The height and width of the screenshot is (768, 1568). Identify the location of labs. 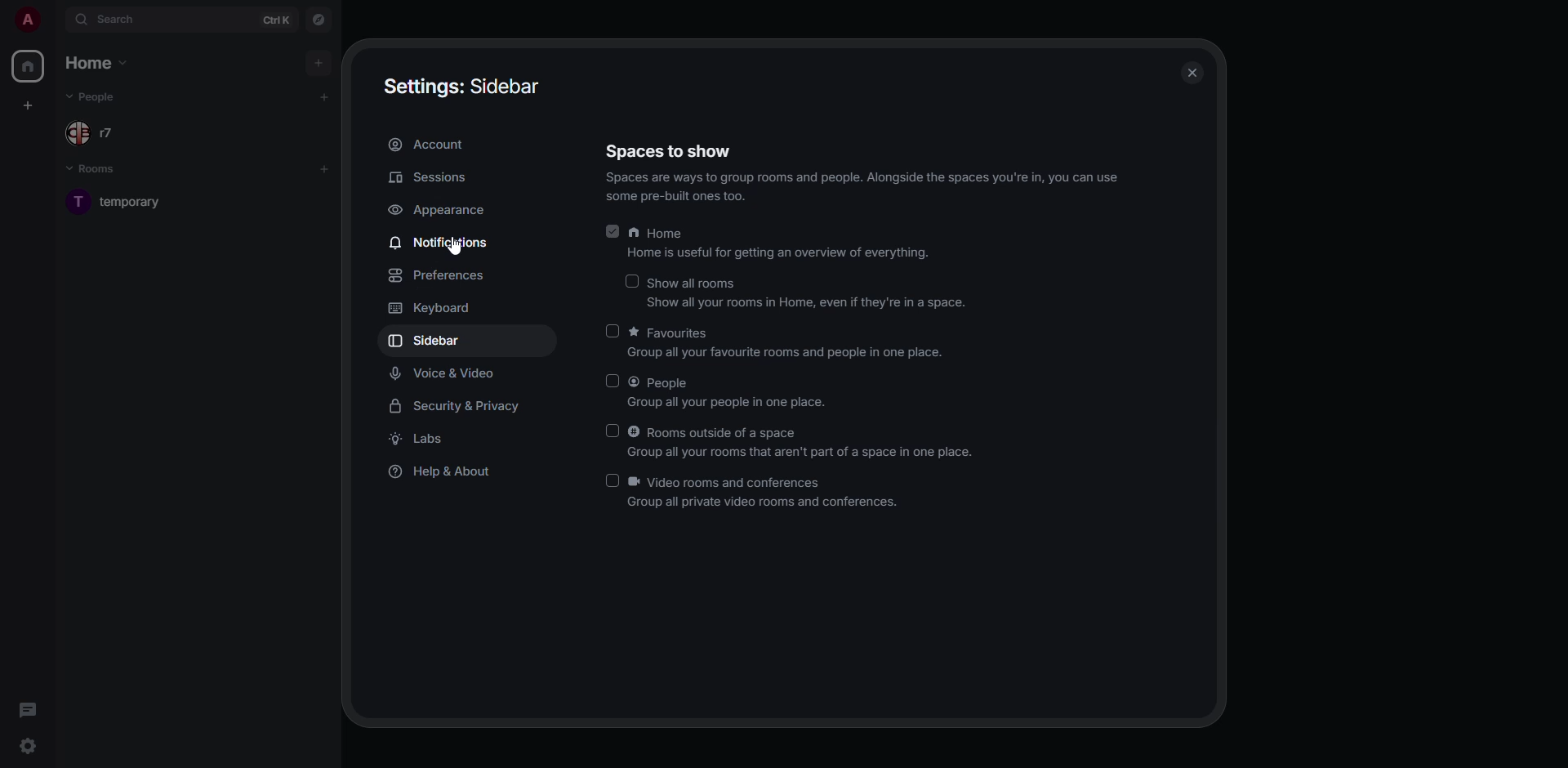
(423, 440).